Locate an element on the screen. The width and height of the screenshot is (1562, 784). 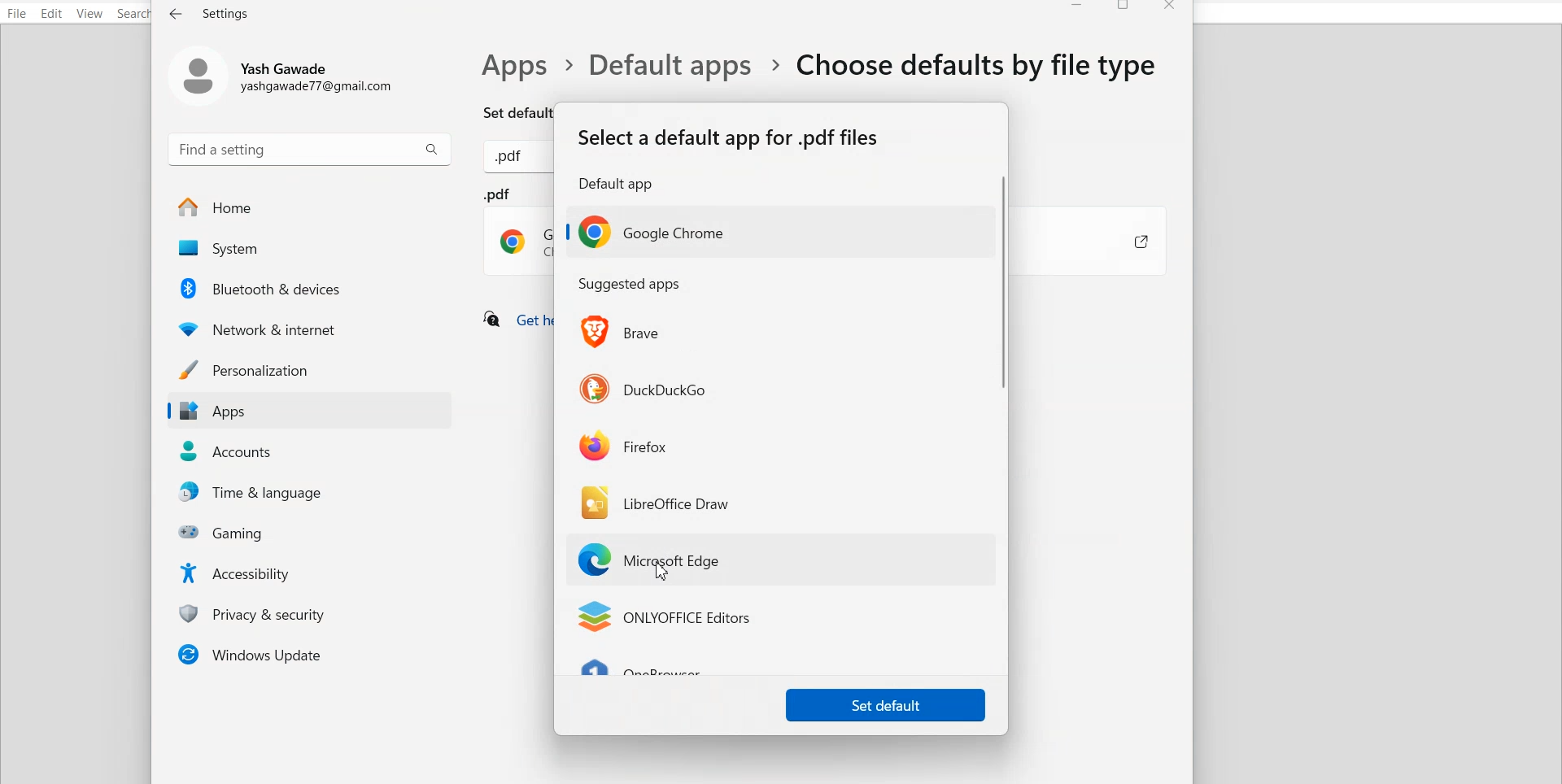
Microsoft Edge is located at coordinates (657, 561).